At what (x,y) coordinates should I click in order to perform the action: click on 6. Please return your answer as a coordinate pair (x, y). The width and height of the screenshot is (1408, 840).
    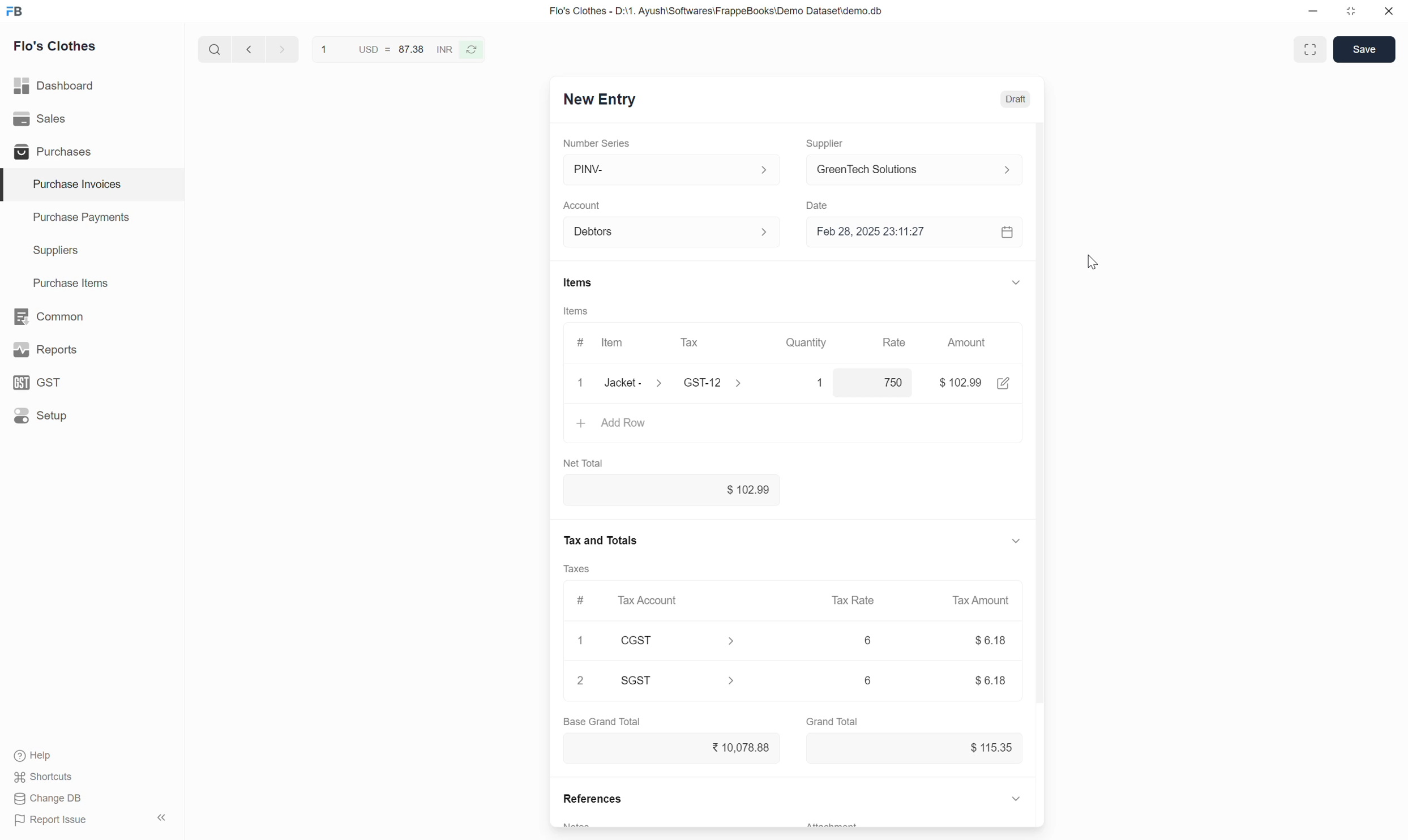
    Looking at the image, I should click on (868, 640).